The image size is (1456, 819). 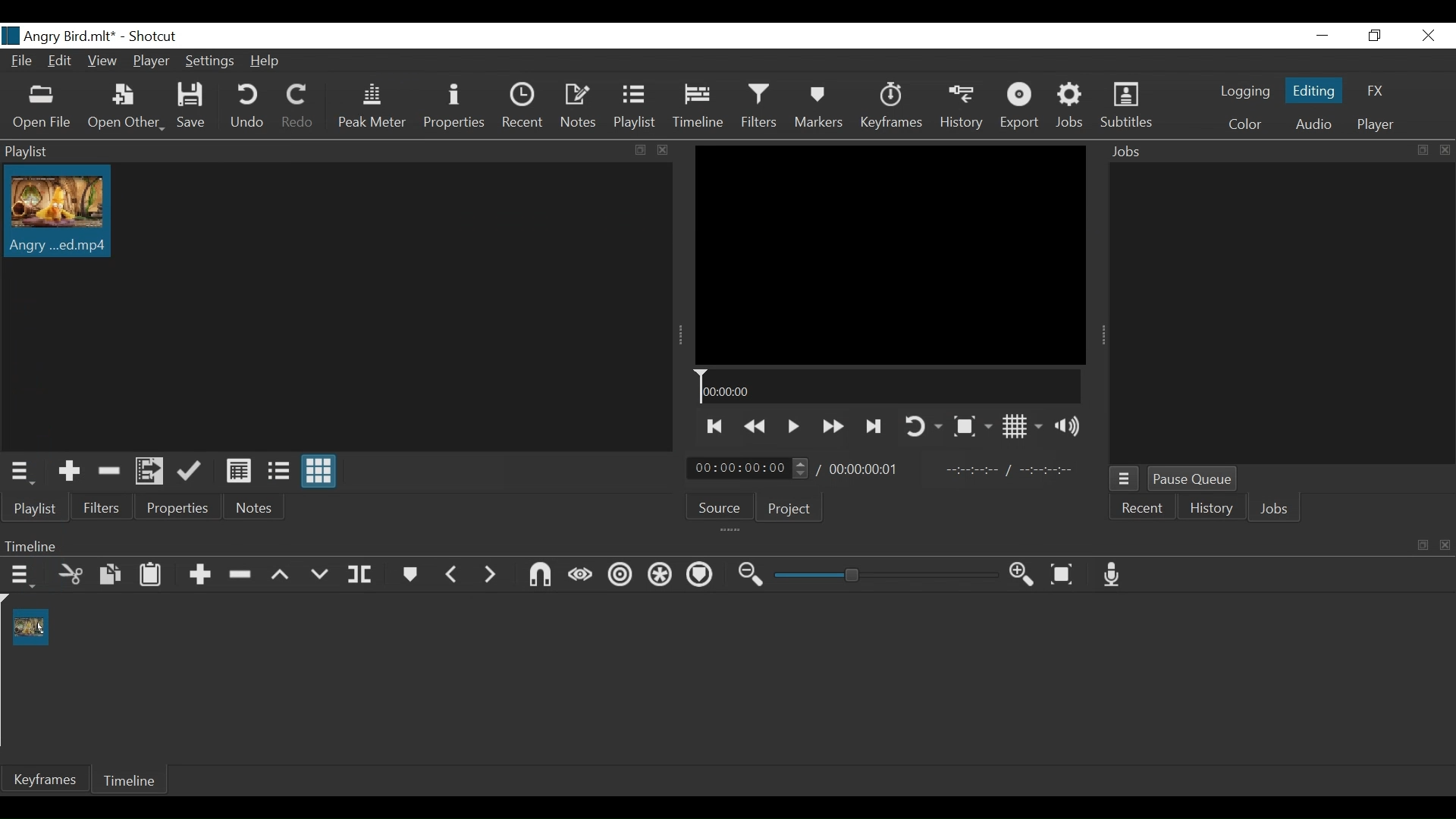 I want to click on Properties, so click(x=179, y=504).